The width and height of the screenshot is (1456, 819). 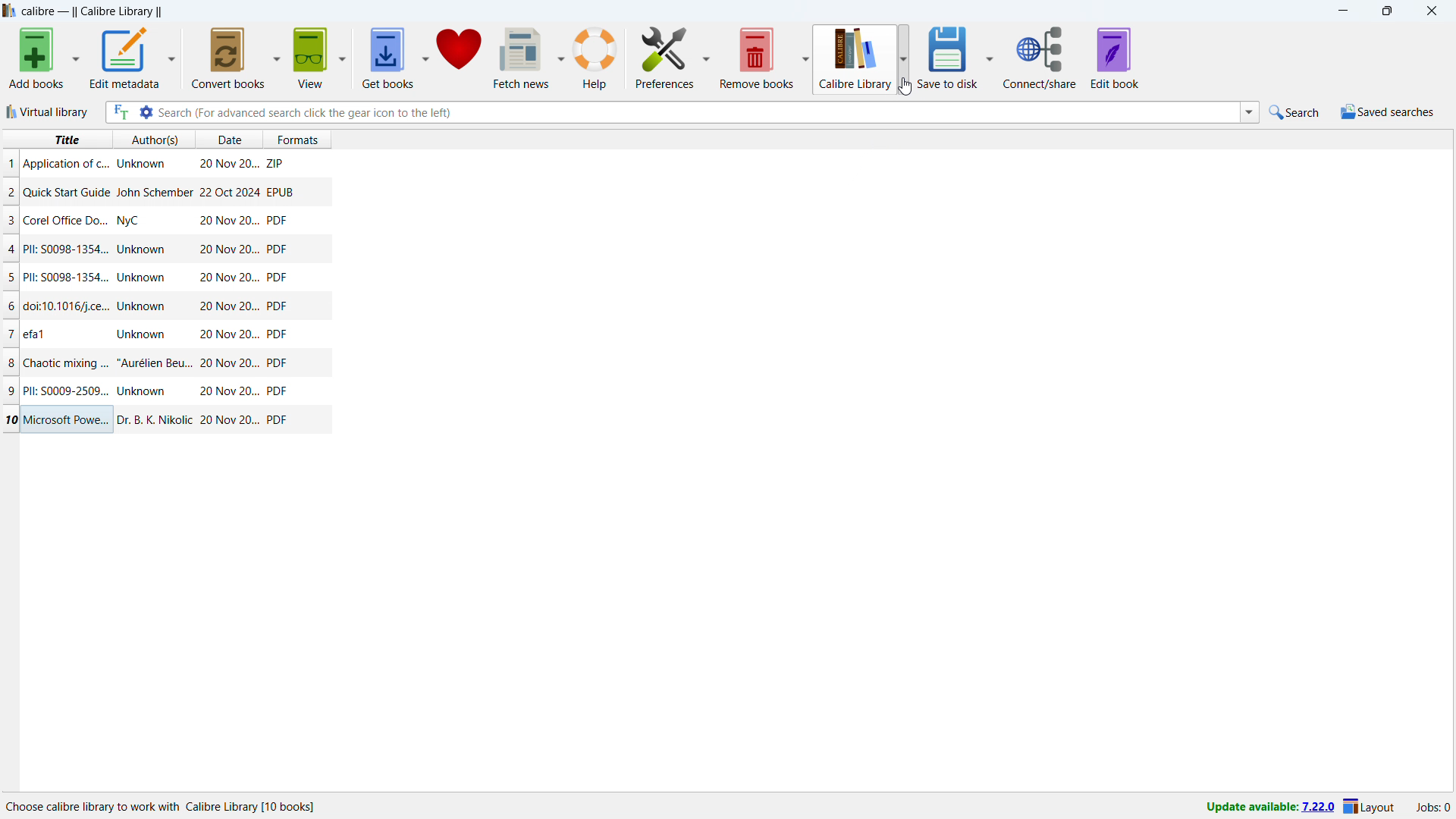 What do you see at coordinates (227, 192) in the screenshot?
I see `Date` at bounding box center [227, 192].